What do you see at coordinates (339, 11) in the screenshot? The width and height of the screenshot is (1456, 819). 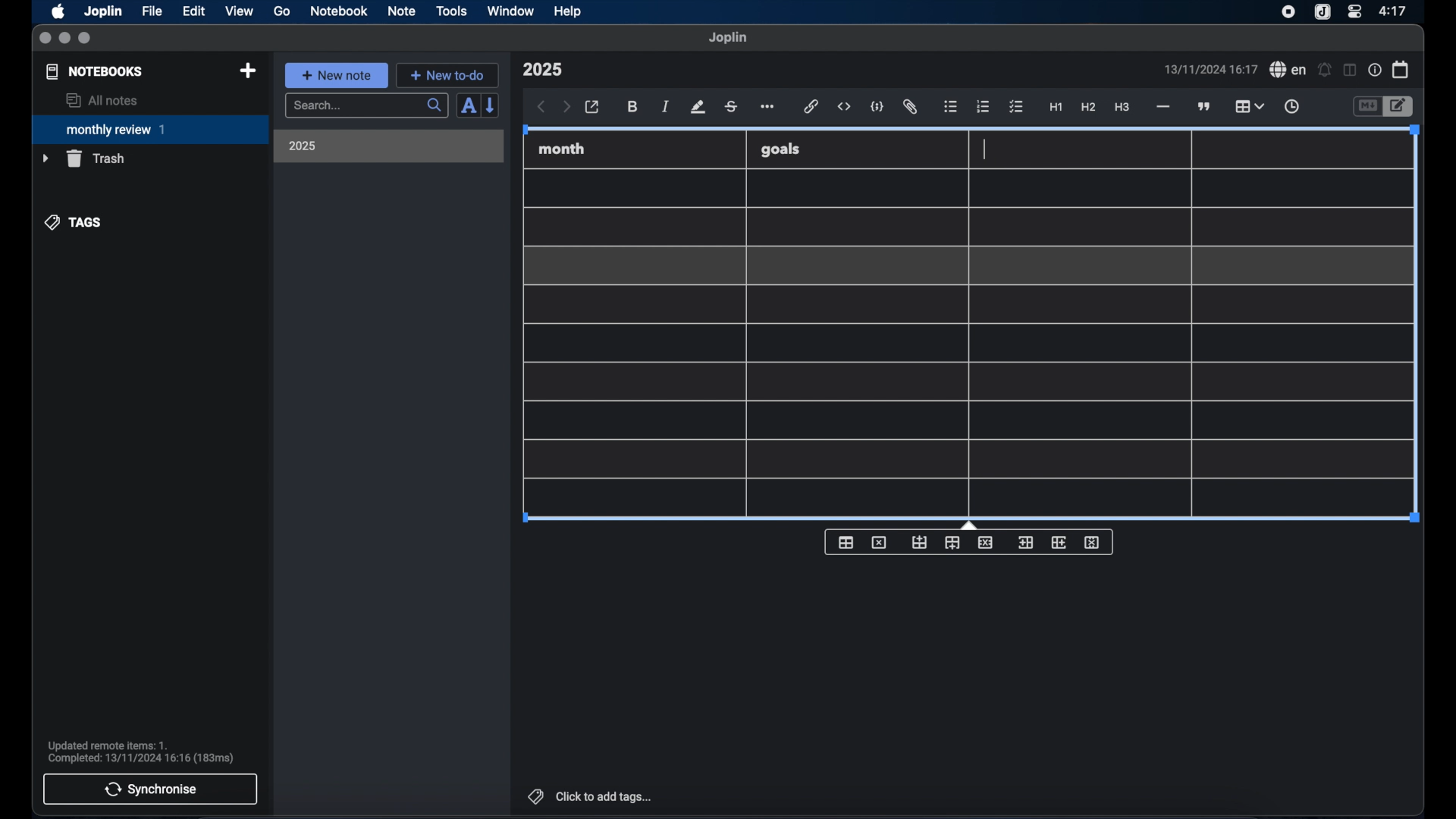 I see `notebook` at bounding box center [339, 11].